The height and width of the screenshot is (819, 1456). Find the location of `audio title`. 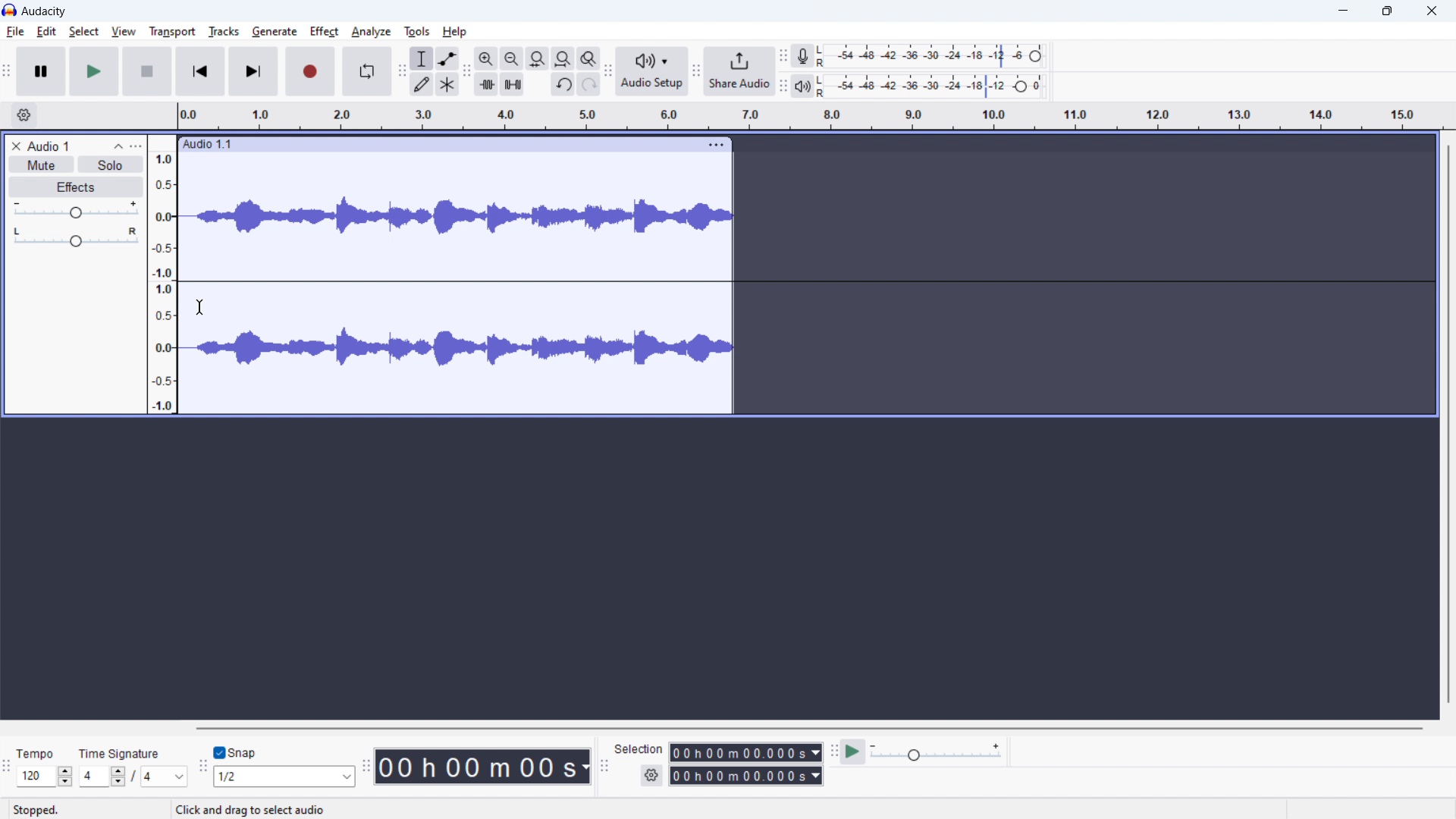

audio title is located at coordinates (50, 146).